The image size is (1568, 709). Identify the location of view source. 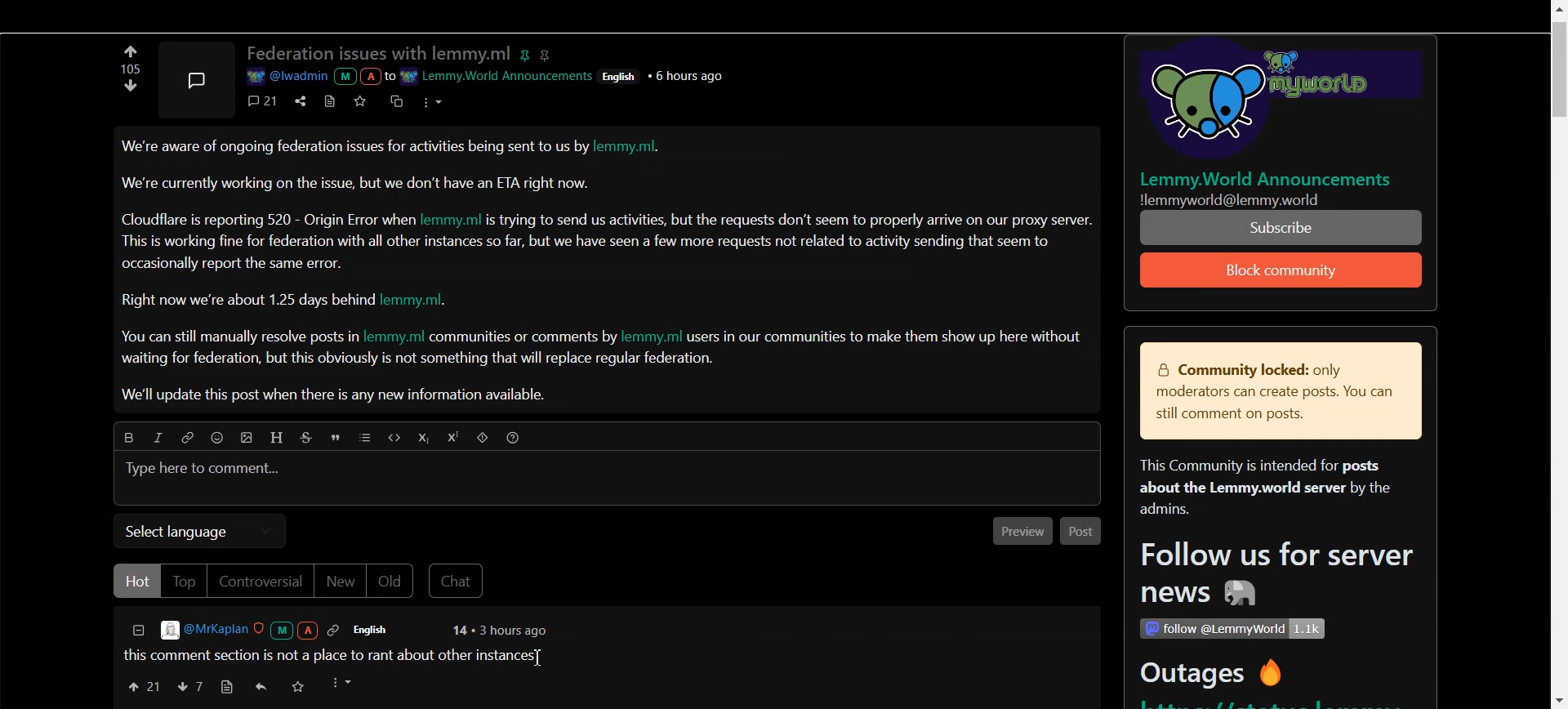
(226, 687).